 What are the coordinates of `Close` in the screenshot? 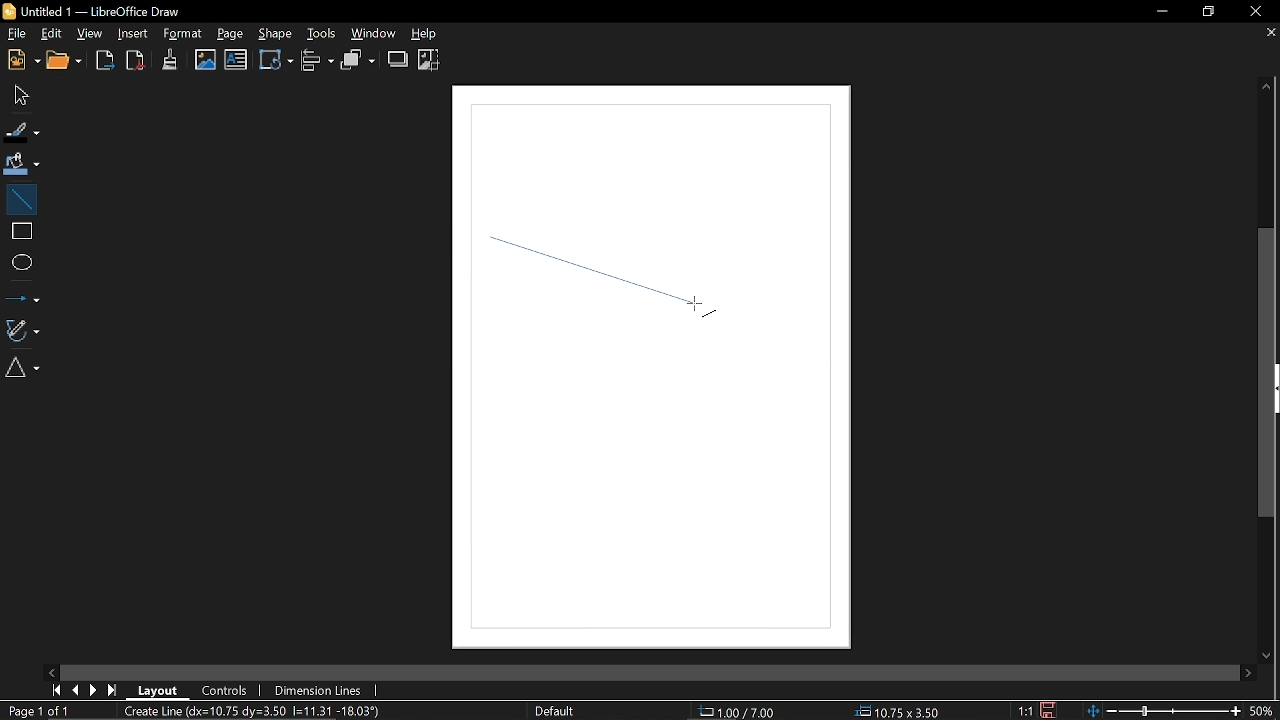 It's located at (1256, 13).